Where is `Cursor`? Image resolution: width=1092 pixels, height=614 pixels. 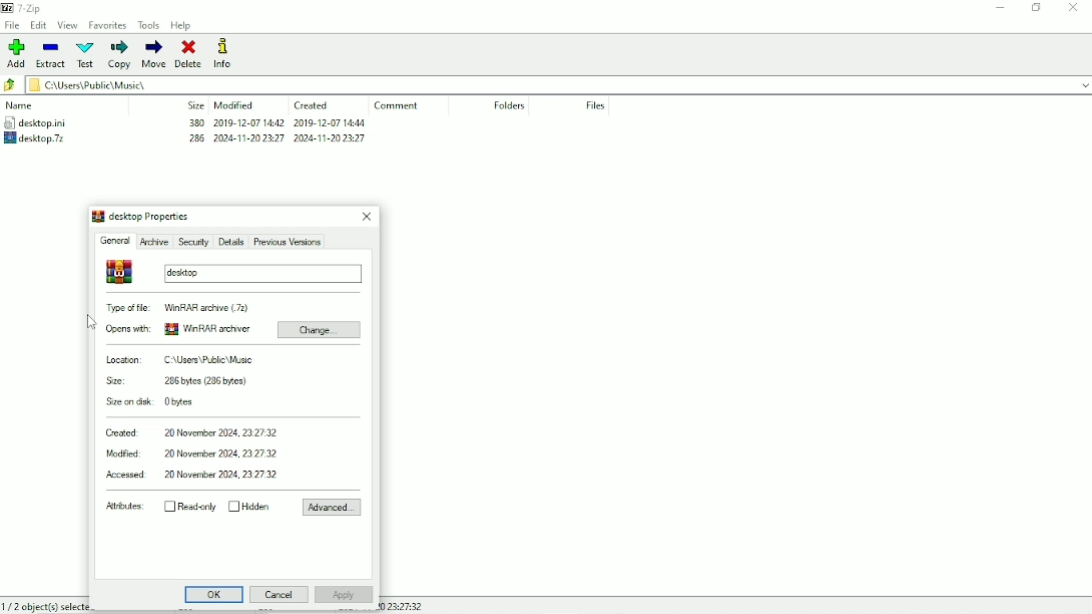 Cursor is located at coordinates (91, 322).